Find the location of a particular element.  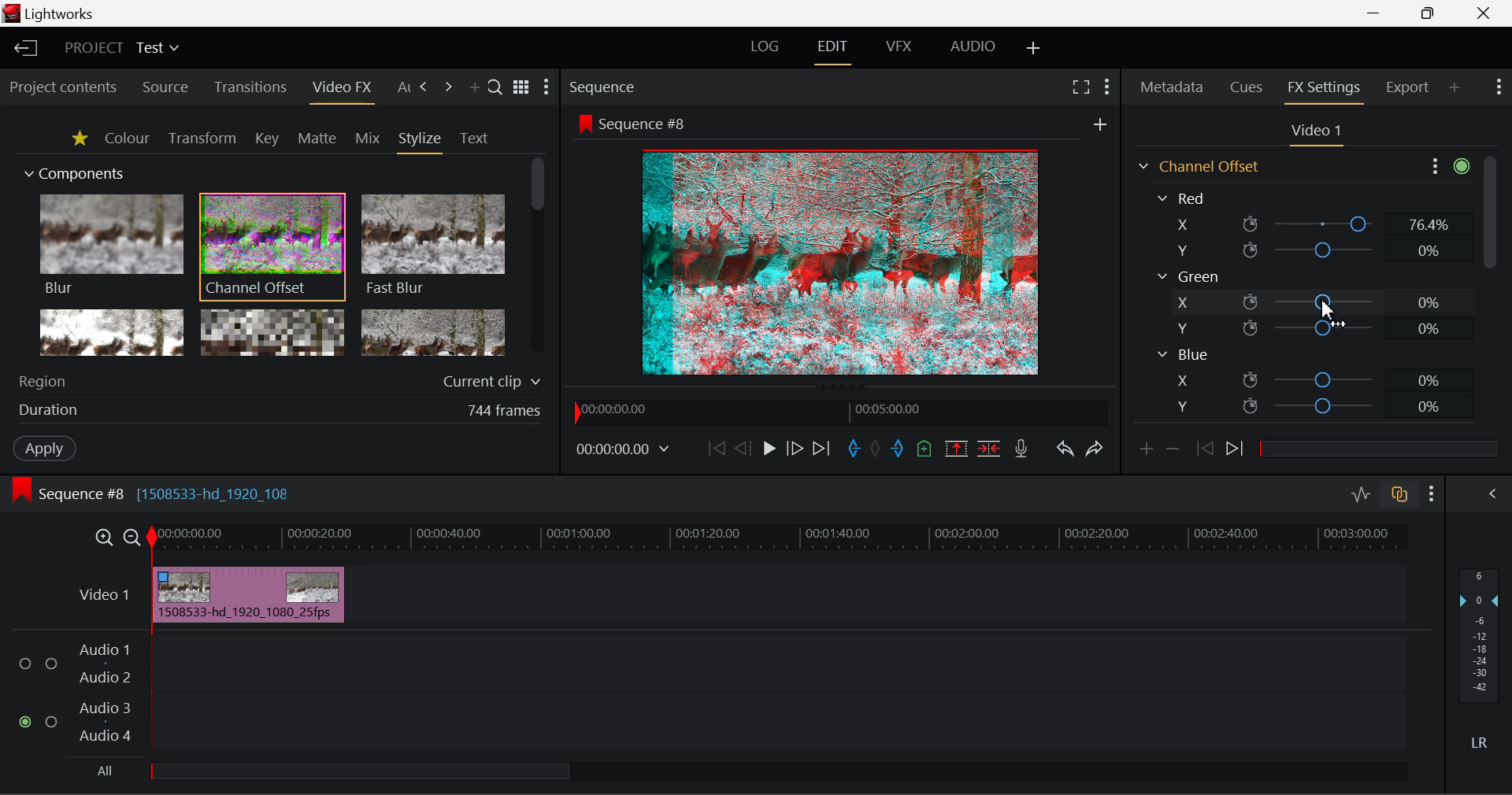

Green X is located at coordinates (1310, 301).